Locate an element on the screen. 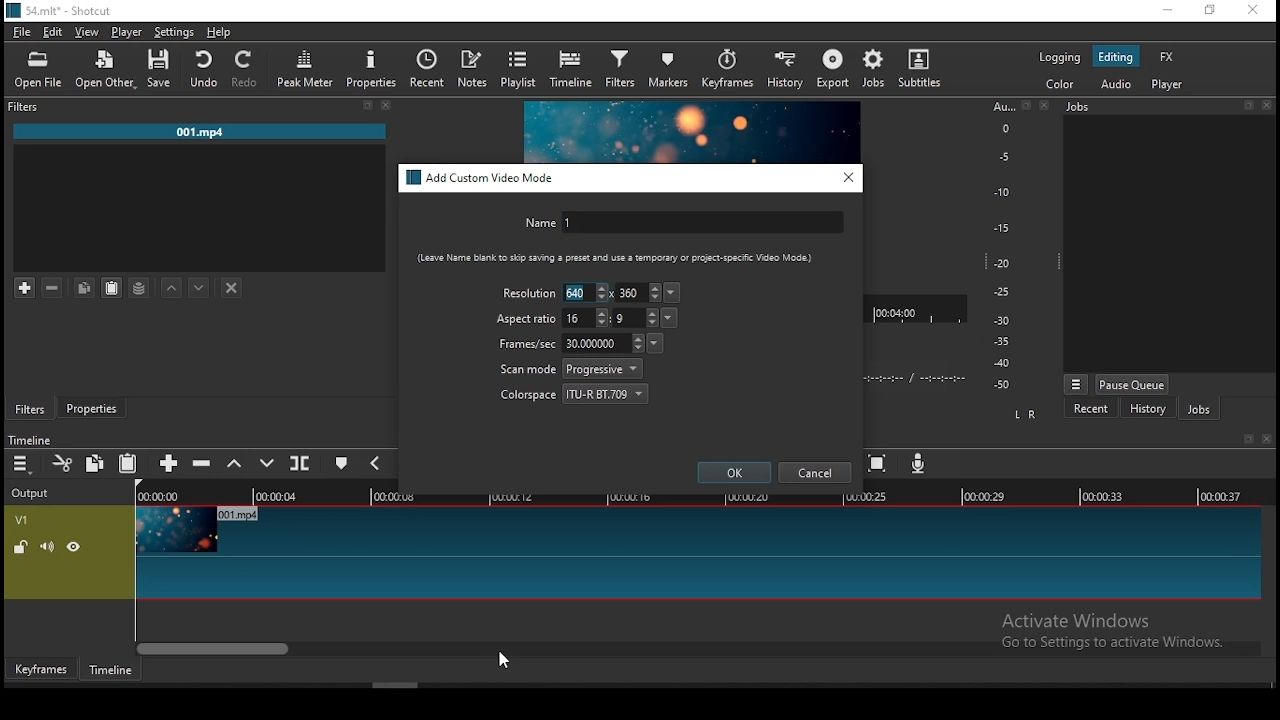 This screenshot has width=1280, height=720. L R is located at coordinates (1027, 415).